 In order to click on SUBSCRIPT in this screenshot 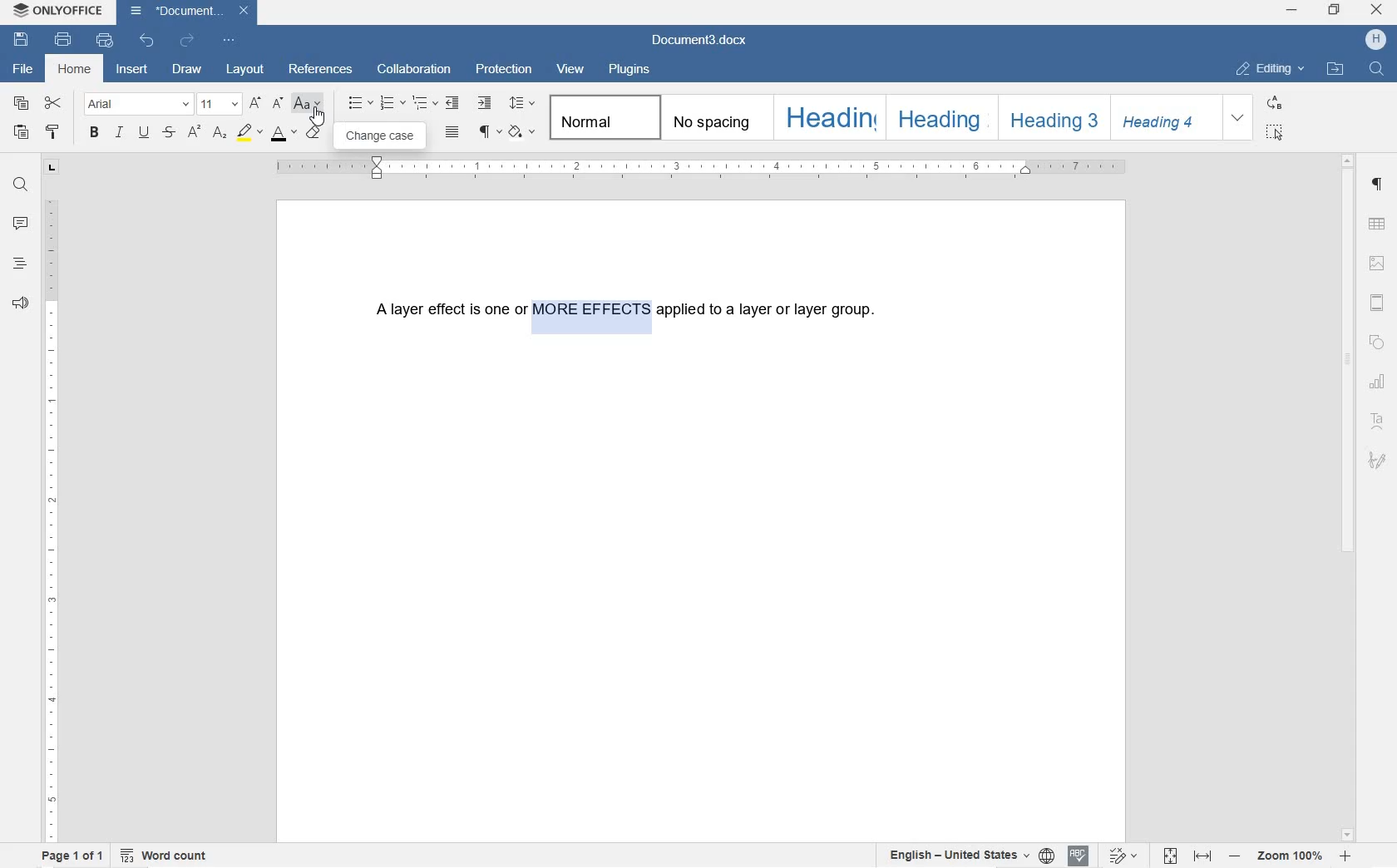, I will do `click(220, 133)`.